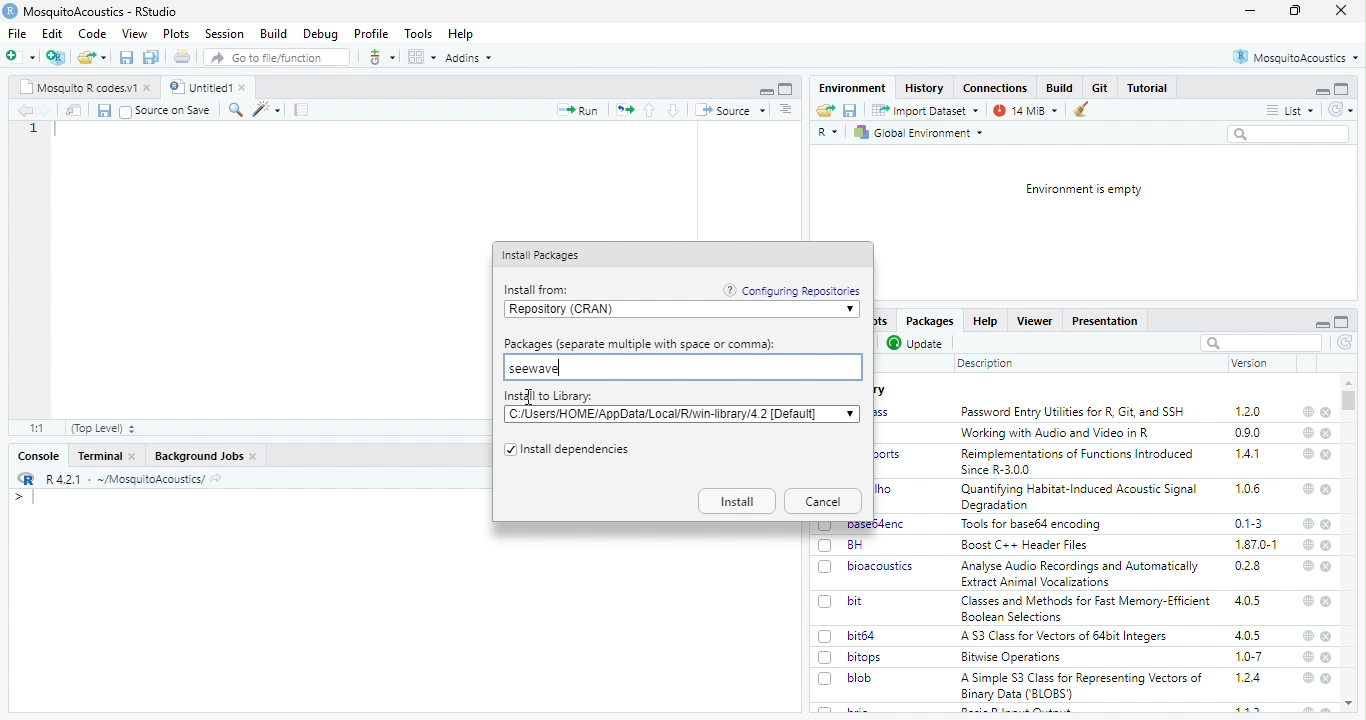  I want to click on web, so click(1309, 600).